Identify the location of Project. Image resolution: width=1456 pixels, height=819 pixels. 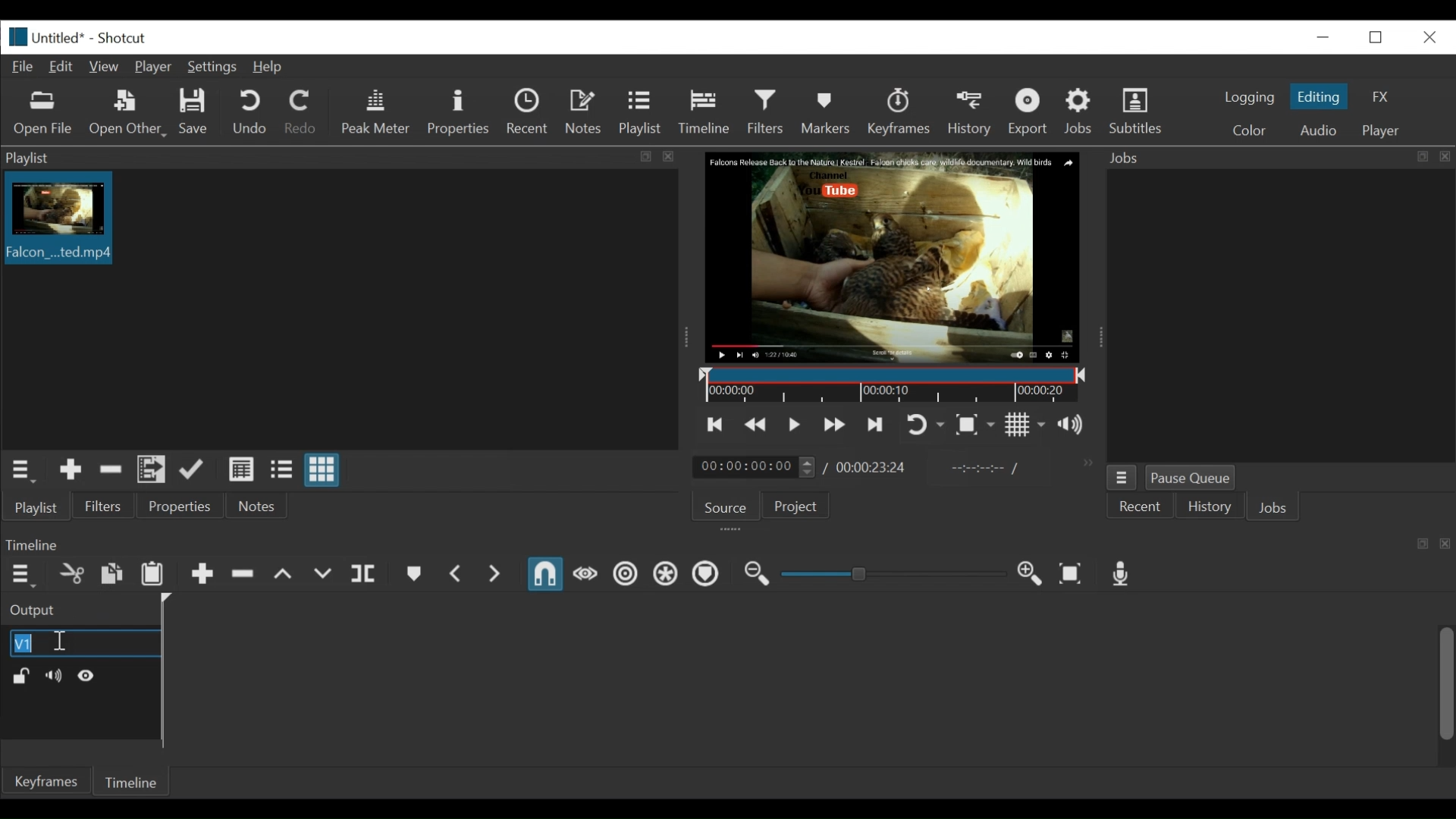
(792, 504).